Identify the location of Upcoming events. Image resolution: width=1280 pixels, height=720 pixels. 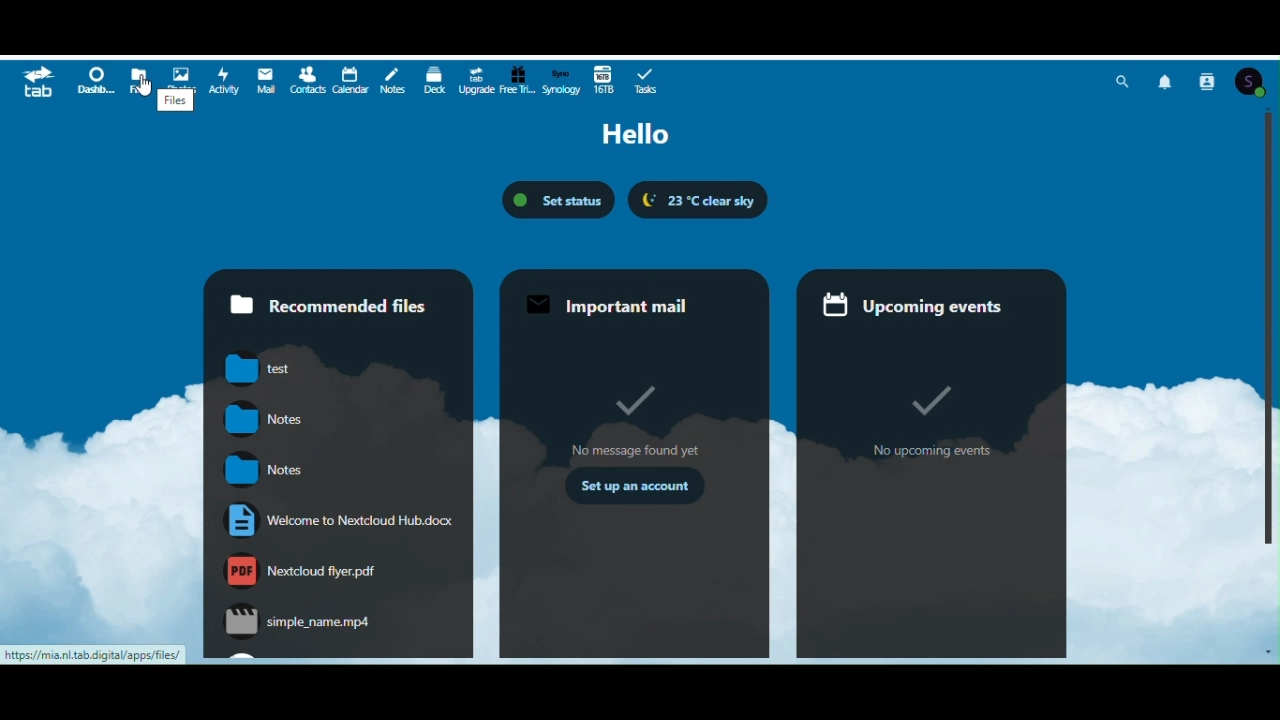
(934, 296).